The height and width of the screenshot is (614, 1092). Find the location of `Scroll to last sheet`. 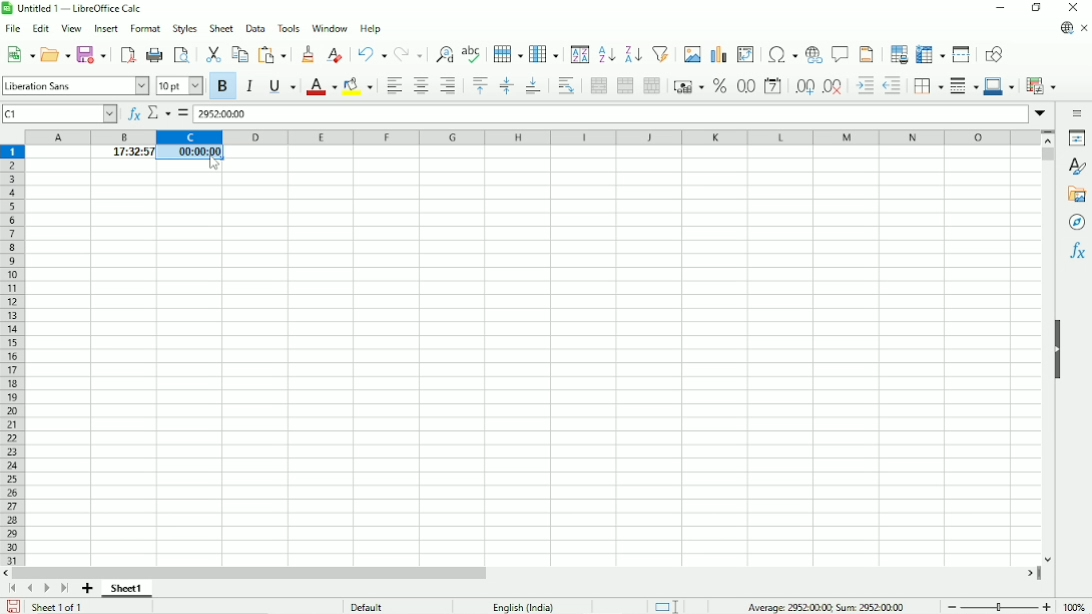

Scroll to last sheet is located at coordinates (64, 589).